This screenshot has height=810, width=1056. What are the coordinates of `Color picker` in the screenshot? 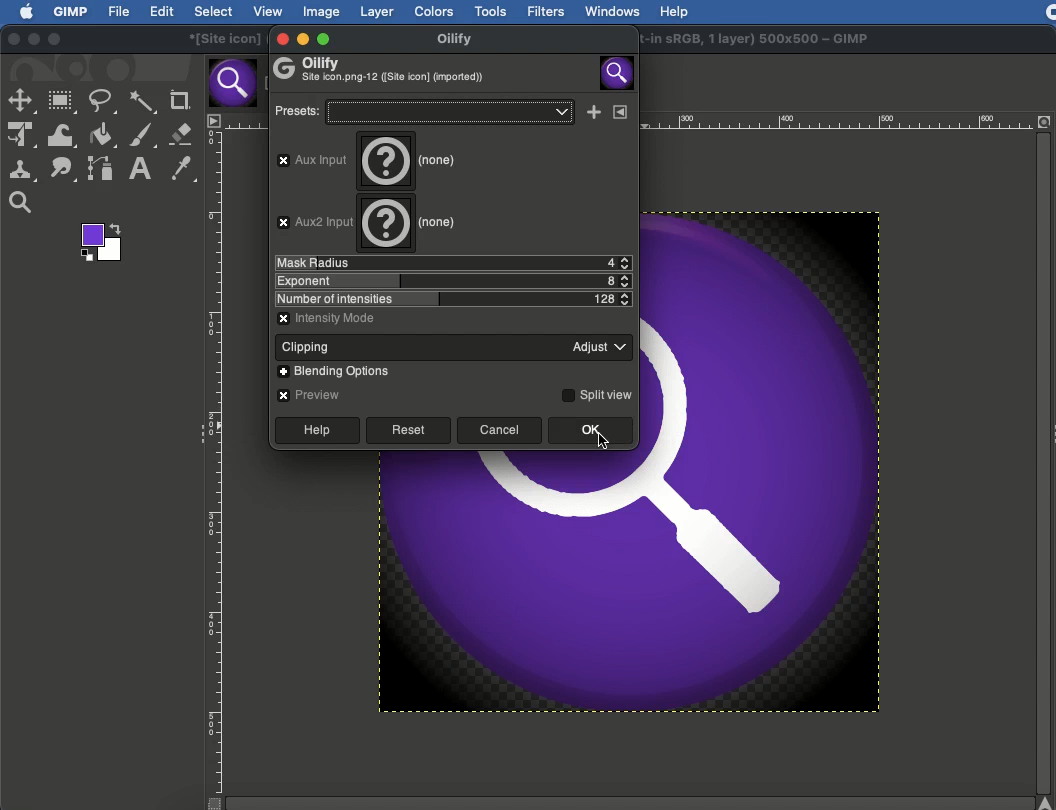 It's located at (182, 167).